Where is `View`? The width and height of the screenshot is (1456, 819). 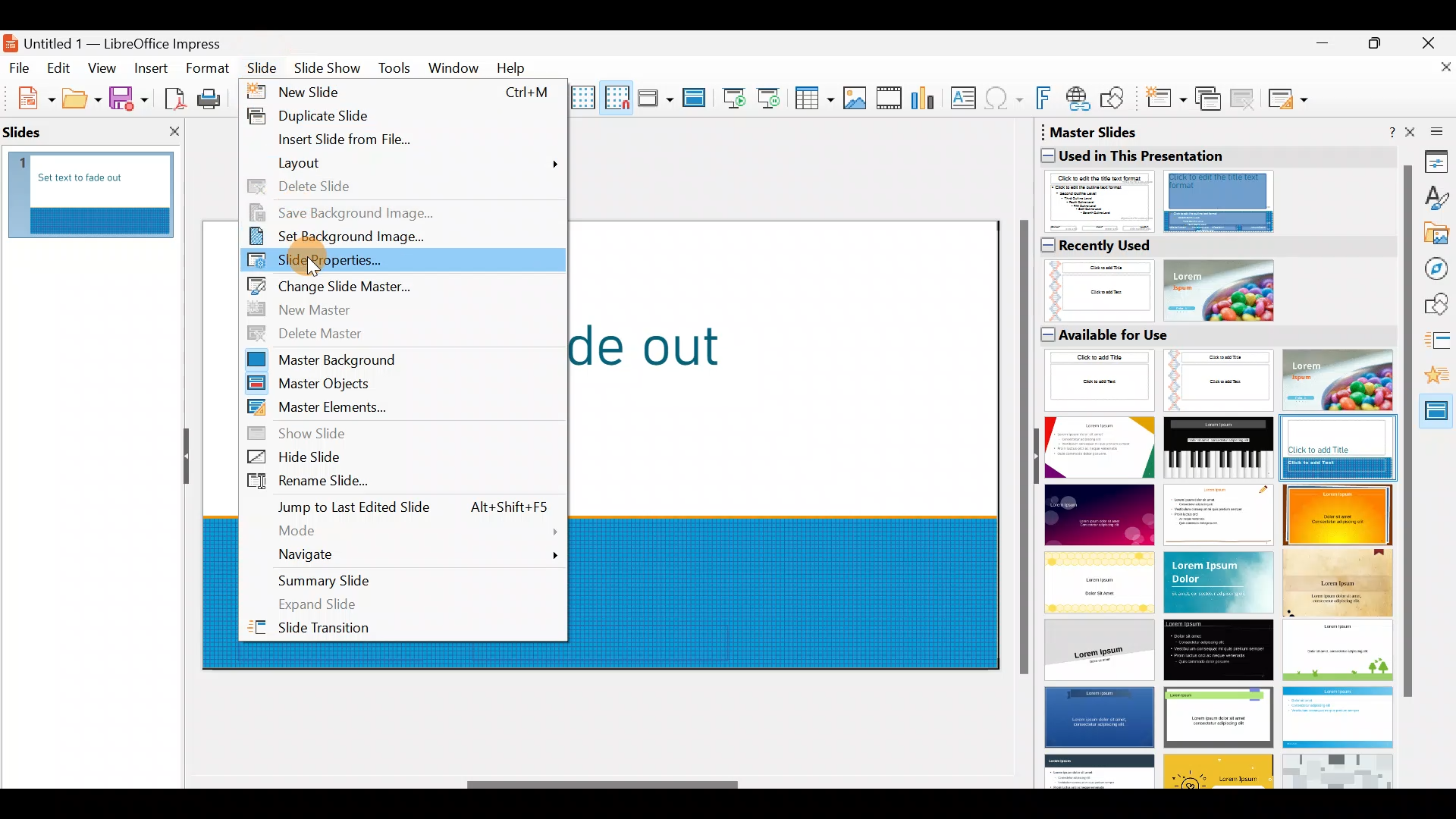
View is located at coordinates (103, 67).